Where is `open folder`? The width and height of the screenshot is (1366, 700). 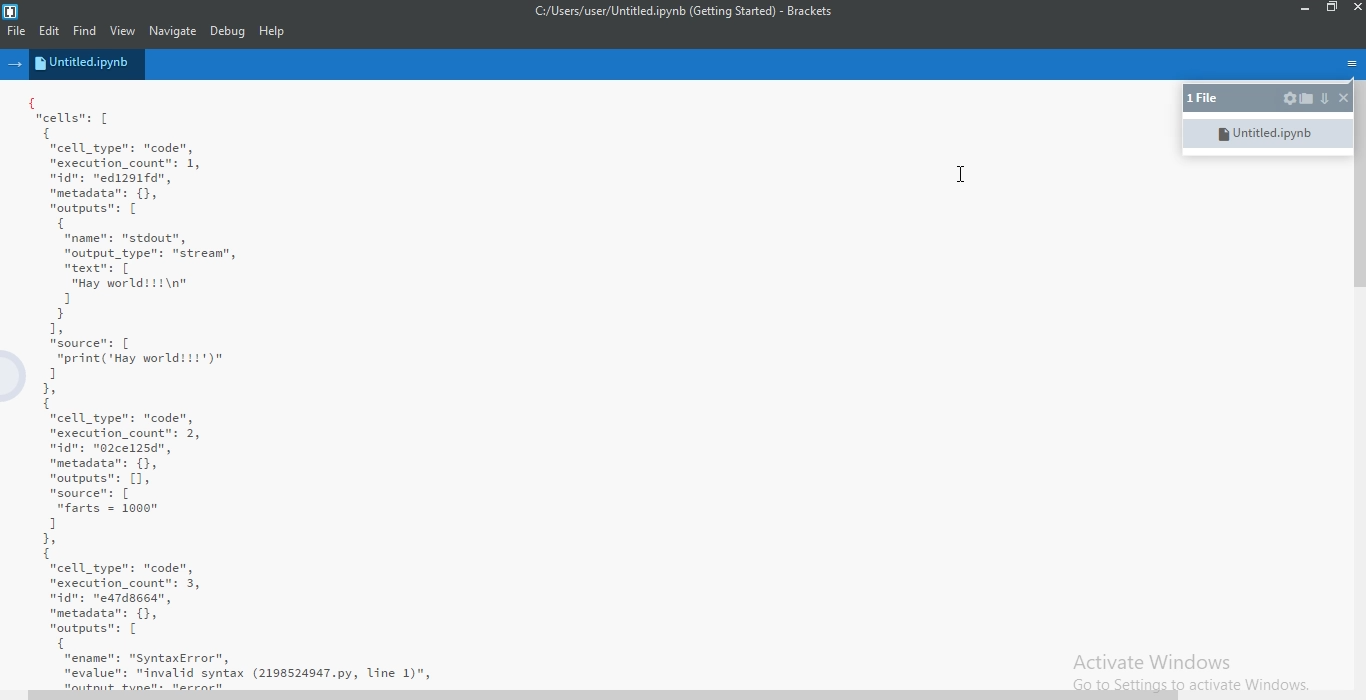 open folder is located at coordinates (1307, 98).